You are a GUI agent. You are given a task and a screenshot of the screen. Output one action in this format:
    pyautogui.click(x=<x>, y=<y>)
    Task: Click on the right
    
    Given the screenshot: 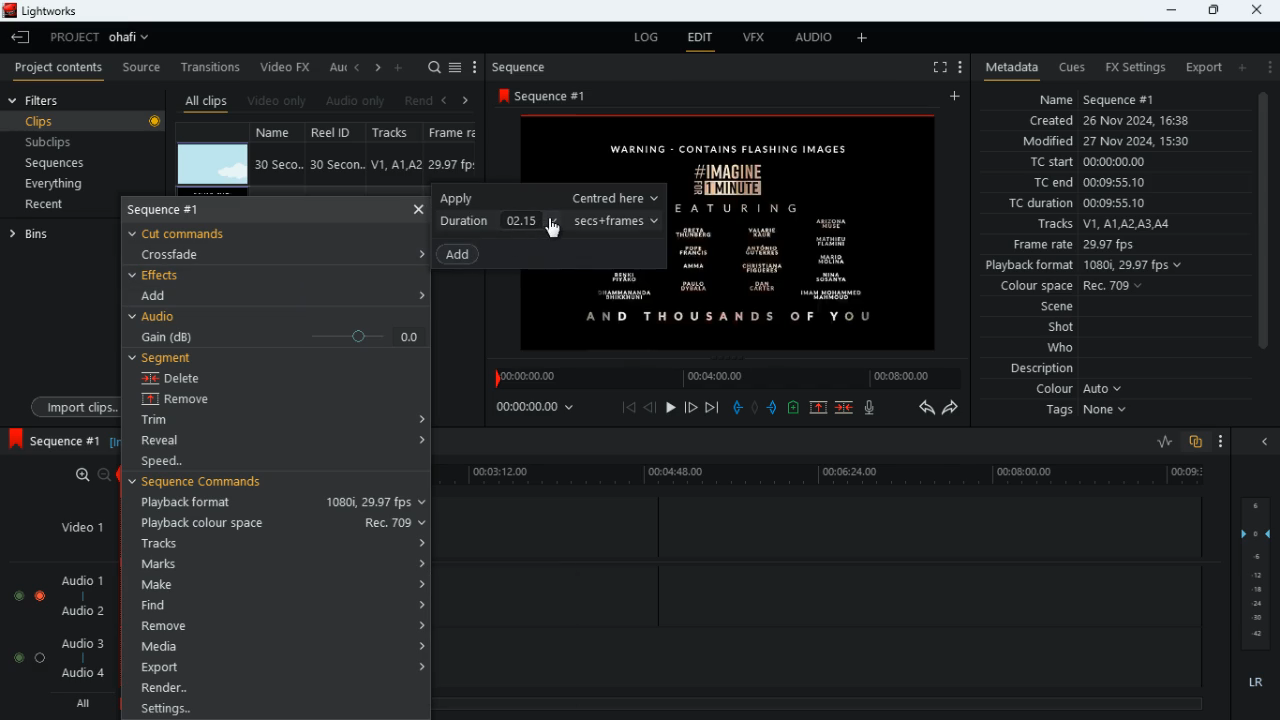 What is the action you would take?
    pyautogui.click(x=378, y=69)
    